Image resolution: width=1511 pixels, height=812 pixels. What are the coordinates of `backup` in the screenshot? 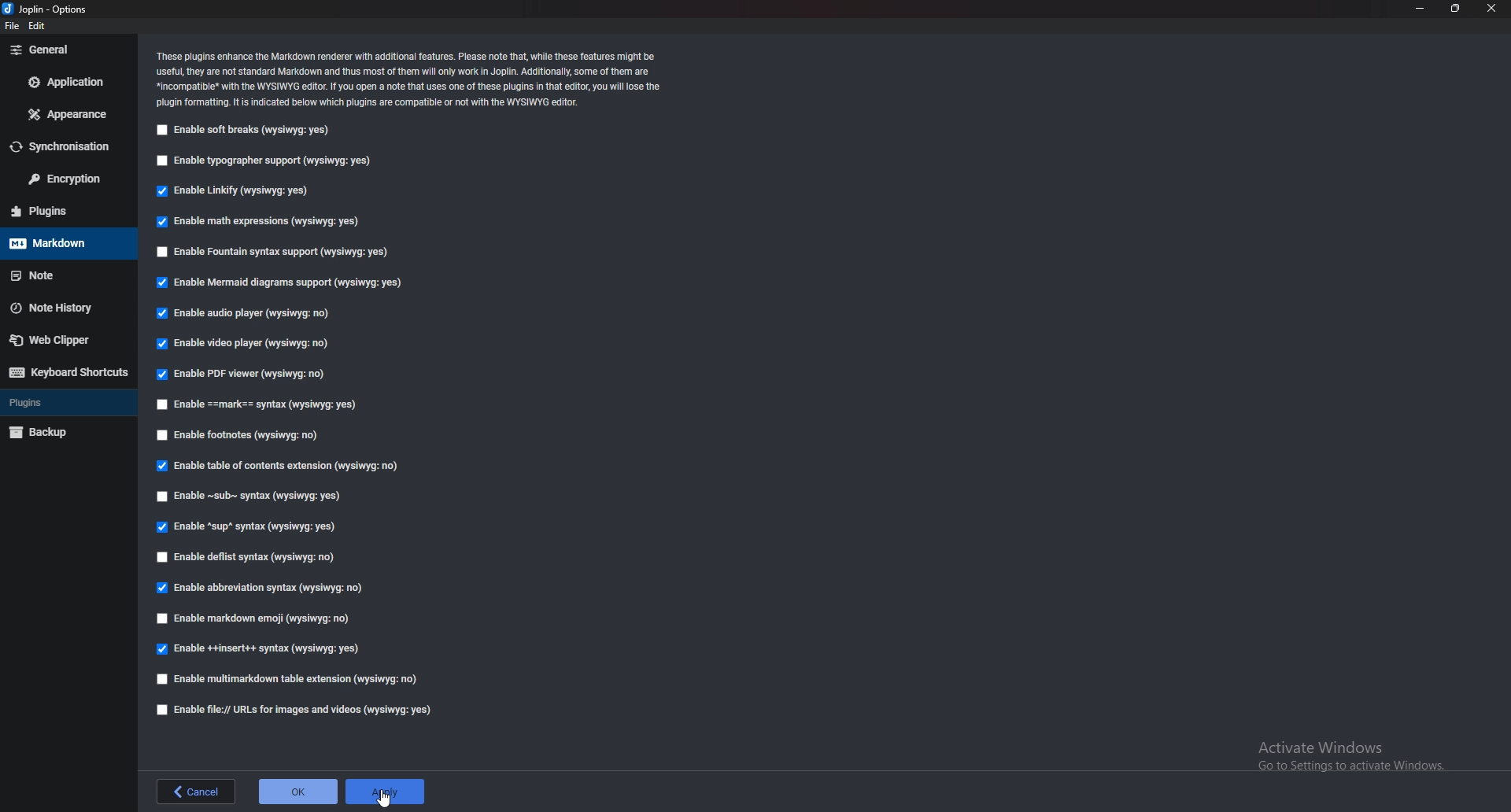 It's located at (65, 430).